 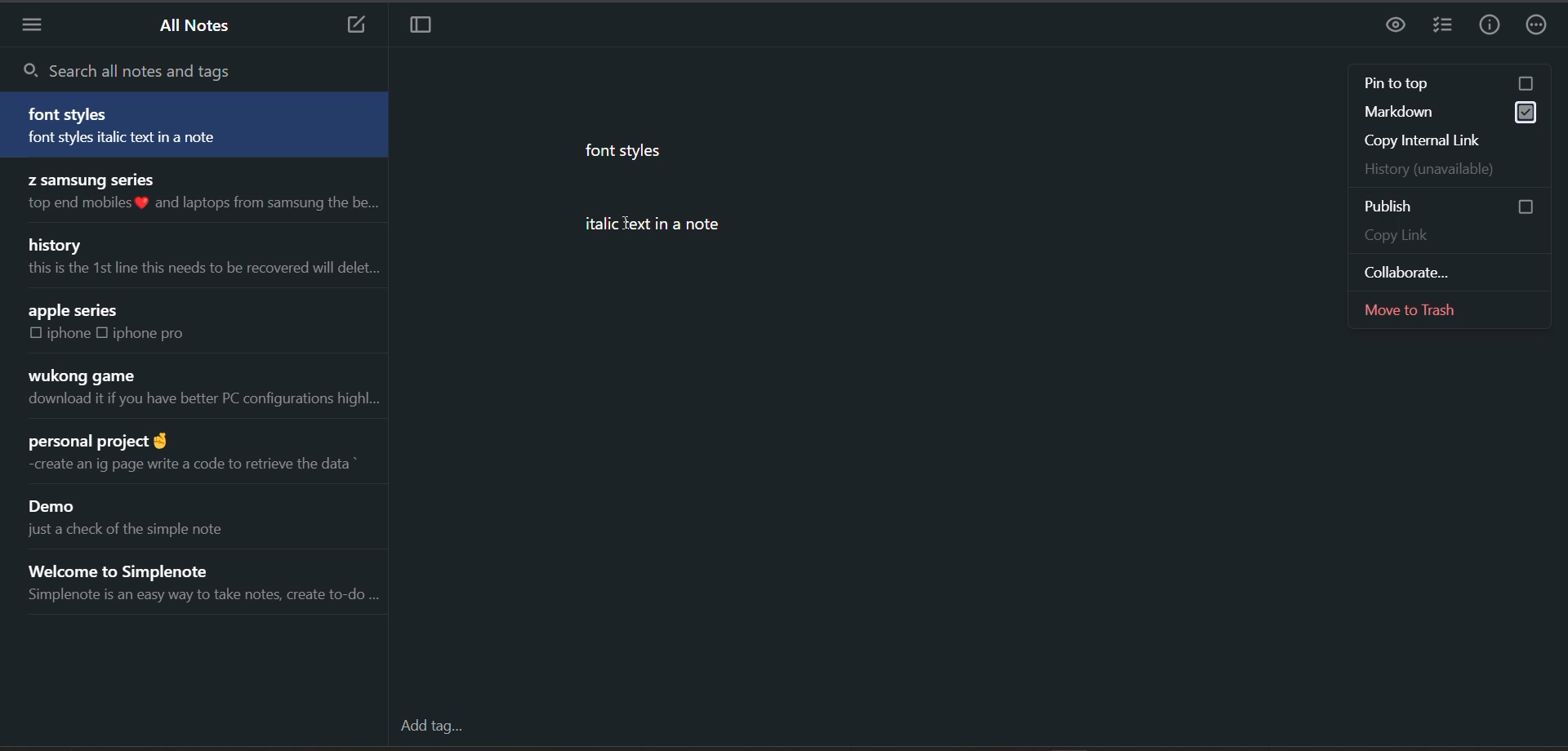 What do you see at coordinates (1455, 206) in the screenshot?
I see `publish` at bounding box center [1455, 206].